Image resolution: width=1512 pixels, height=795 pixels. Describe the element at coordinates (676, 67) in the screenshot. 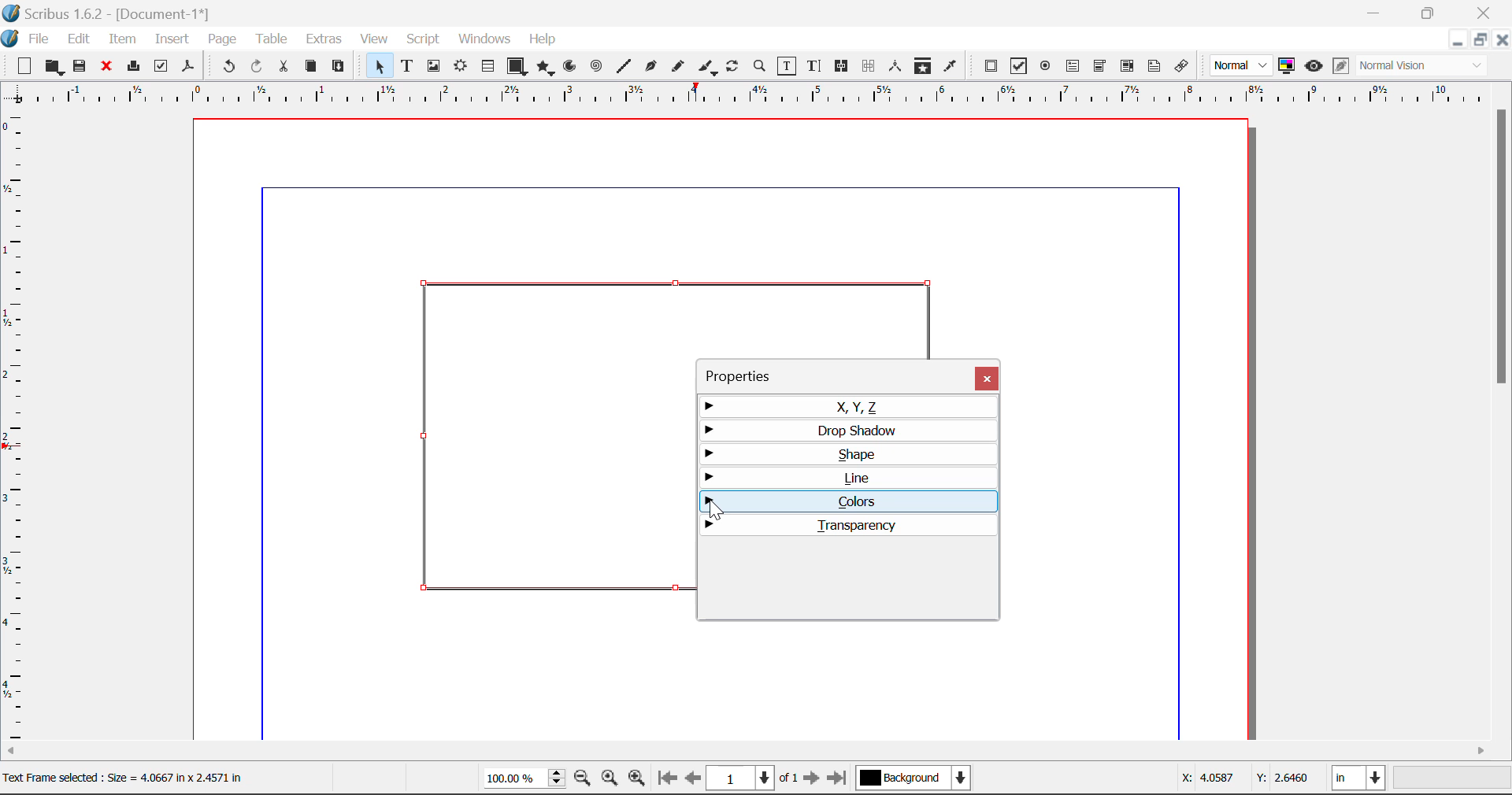

I see `Freehand Line` at that location.